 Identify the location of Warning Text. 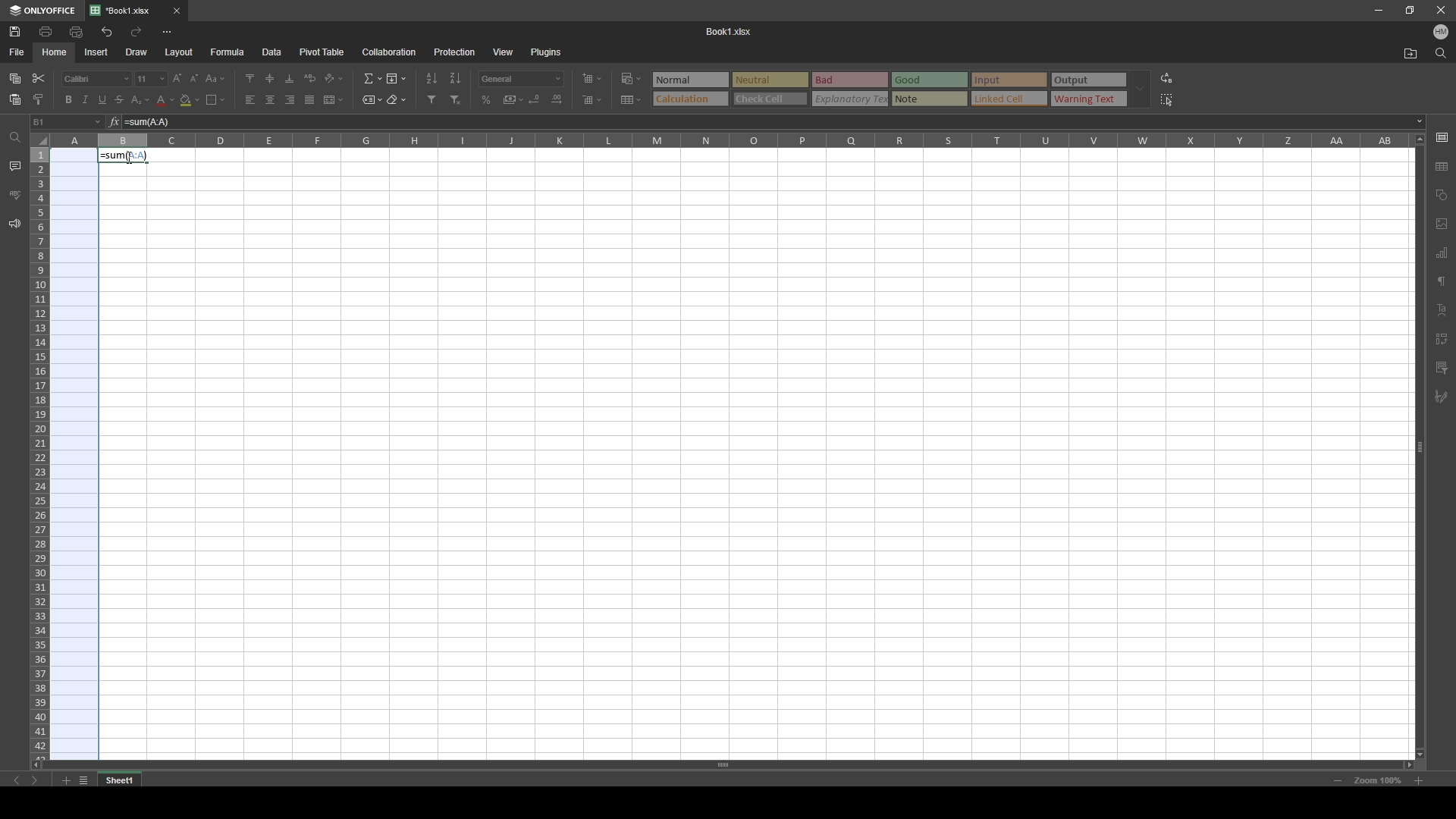
(1089, 100).